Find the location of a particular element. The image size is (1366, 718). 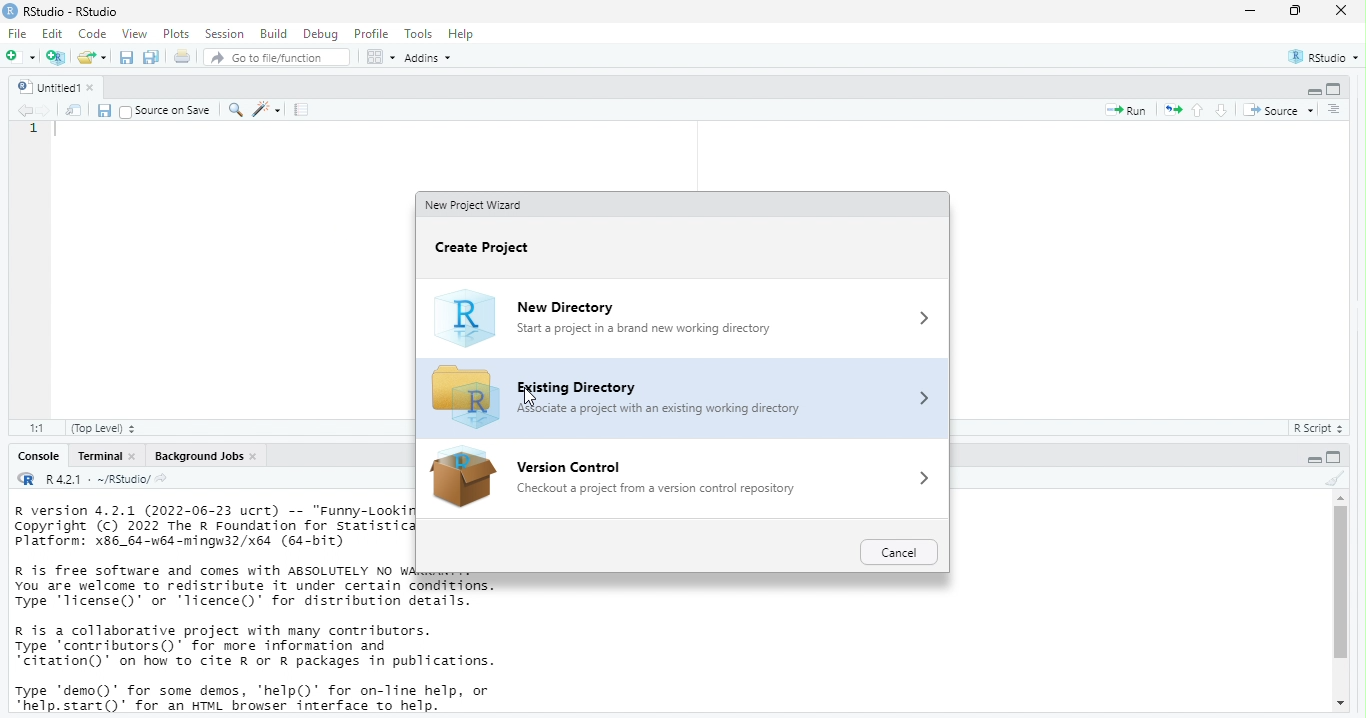

re-run the previous code region is located at coordinates (1172, 111).